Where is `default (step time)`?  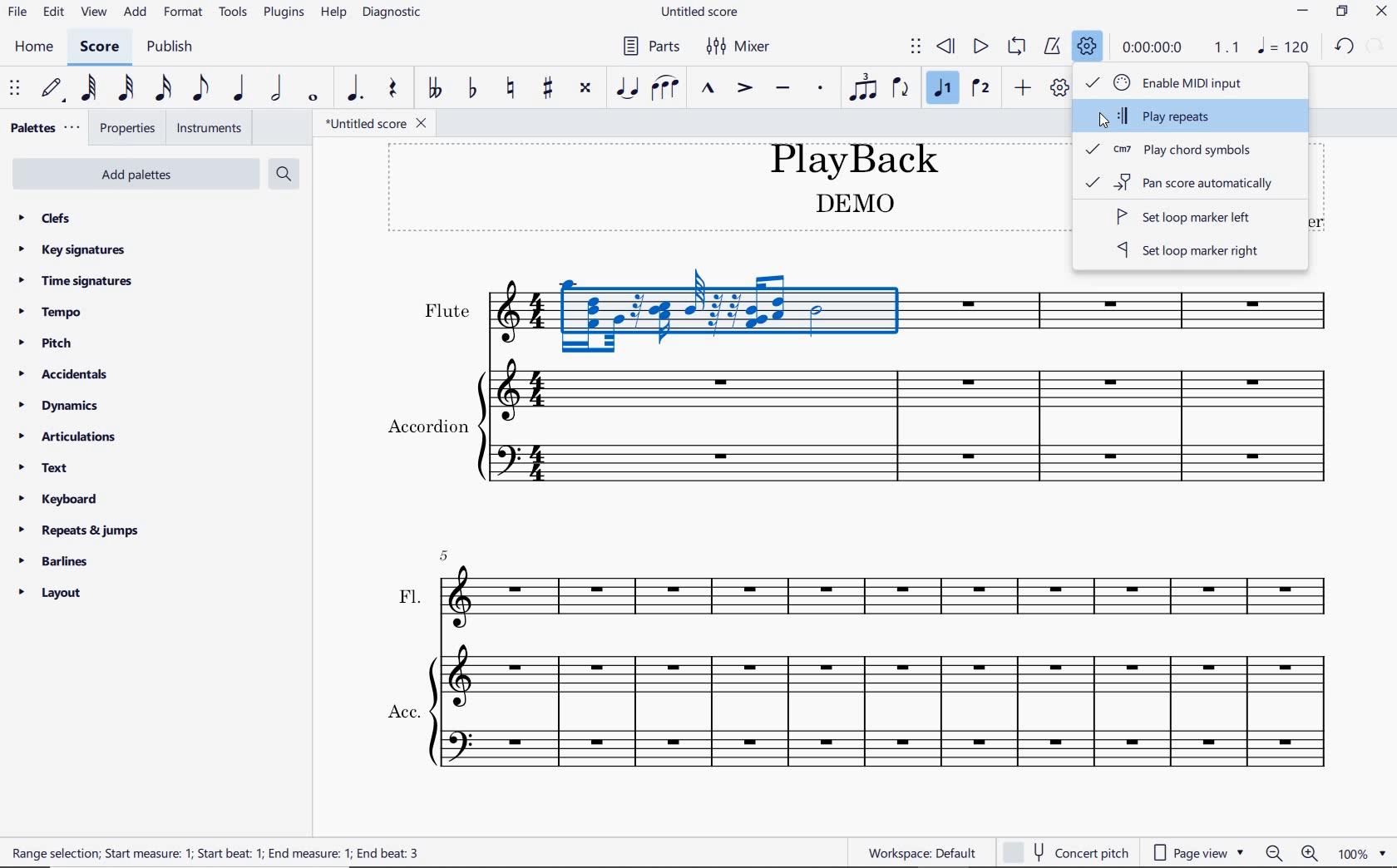 default (step time) is located at coordinates (55, 91).